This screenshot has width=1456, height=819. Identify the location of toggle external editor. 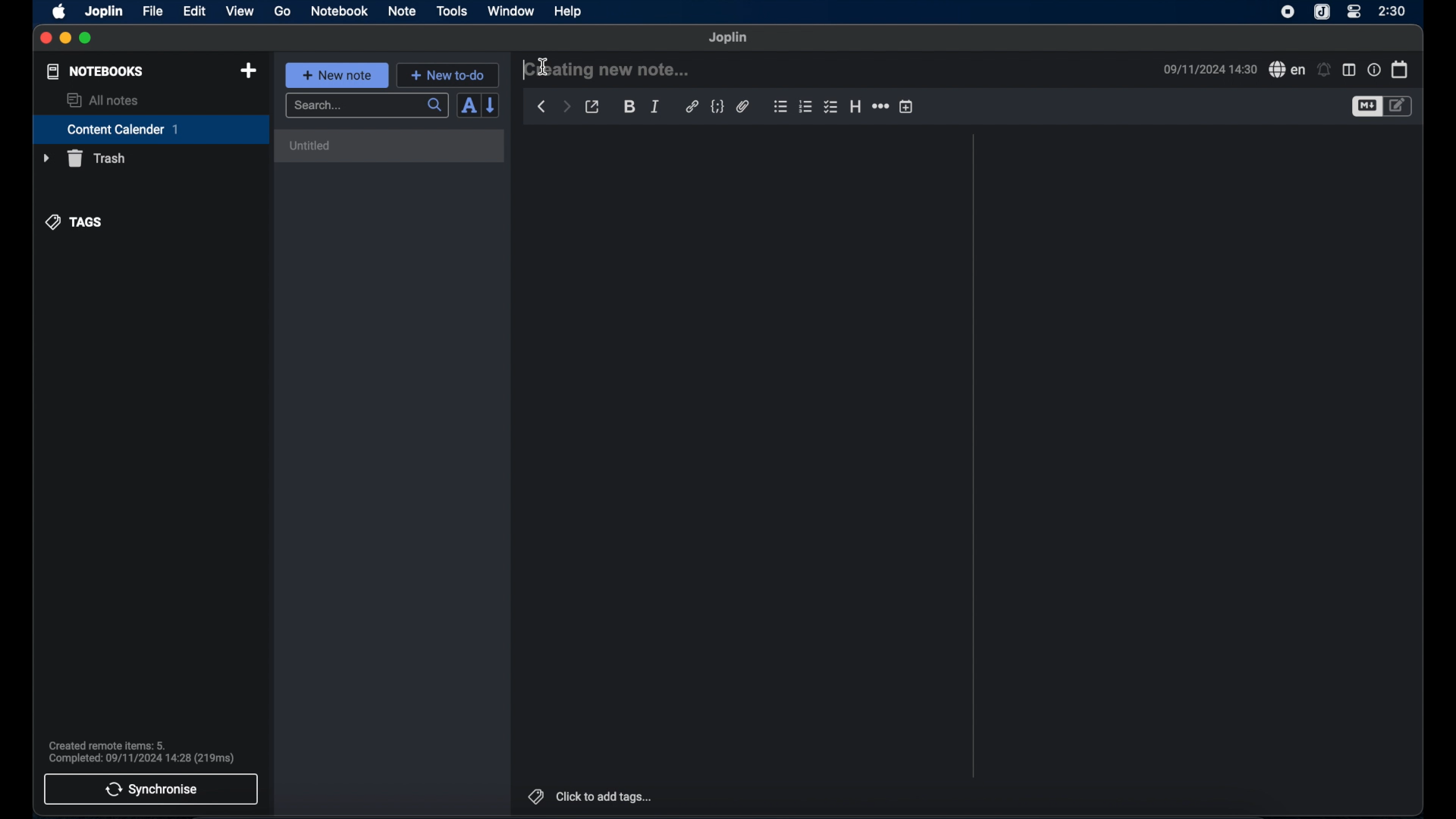
(592, 107).